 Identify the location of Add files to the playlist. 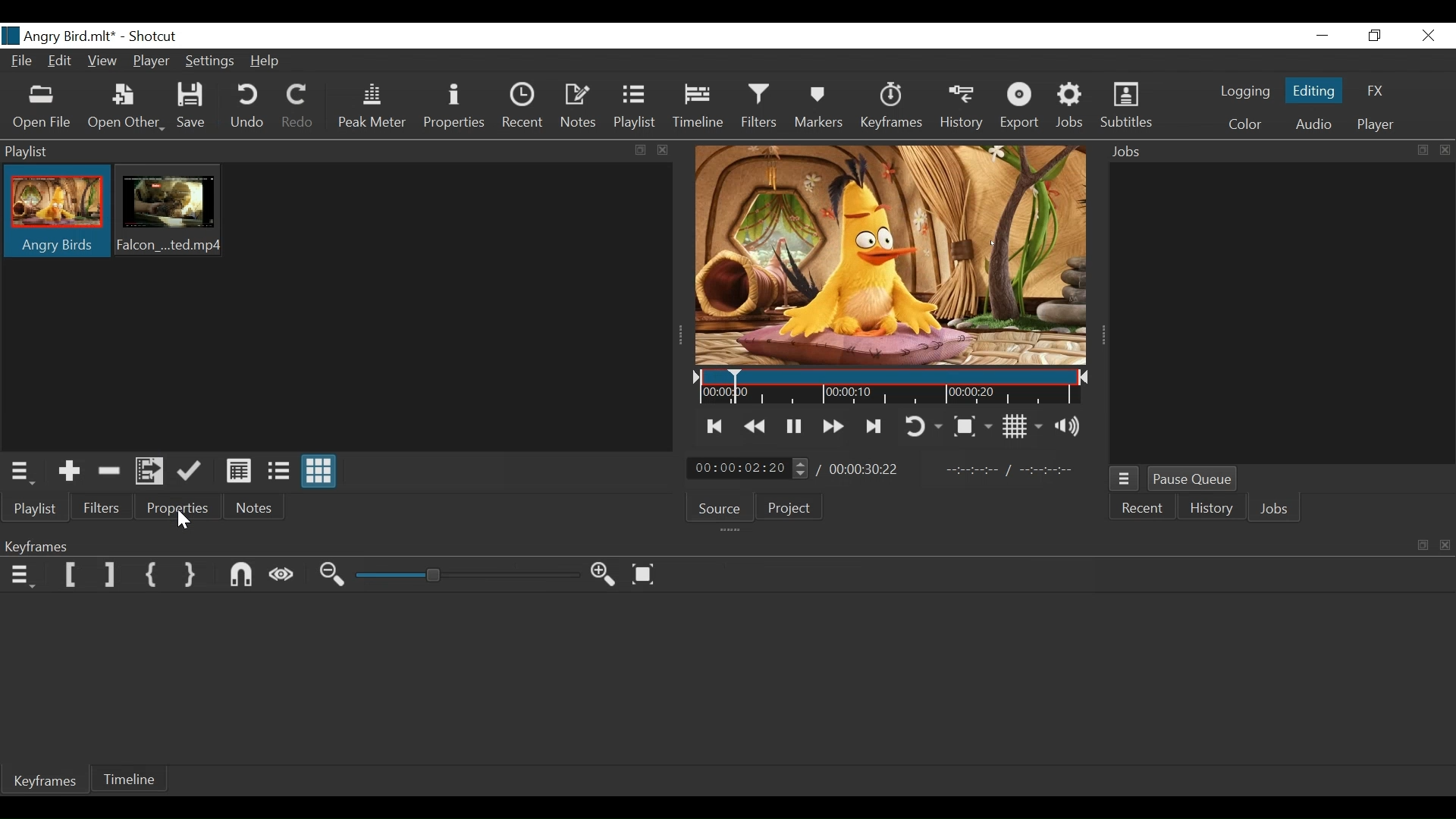
(148, 472).